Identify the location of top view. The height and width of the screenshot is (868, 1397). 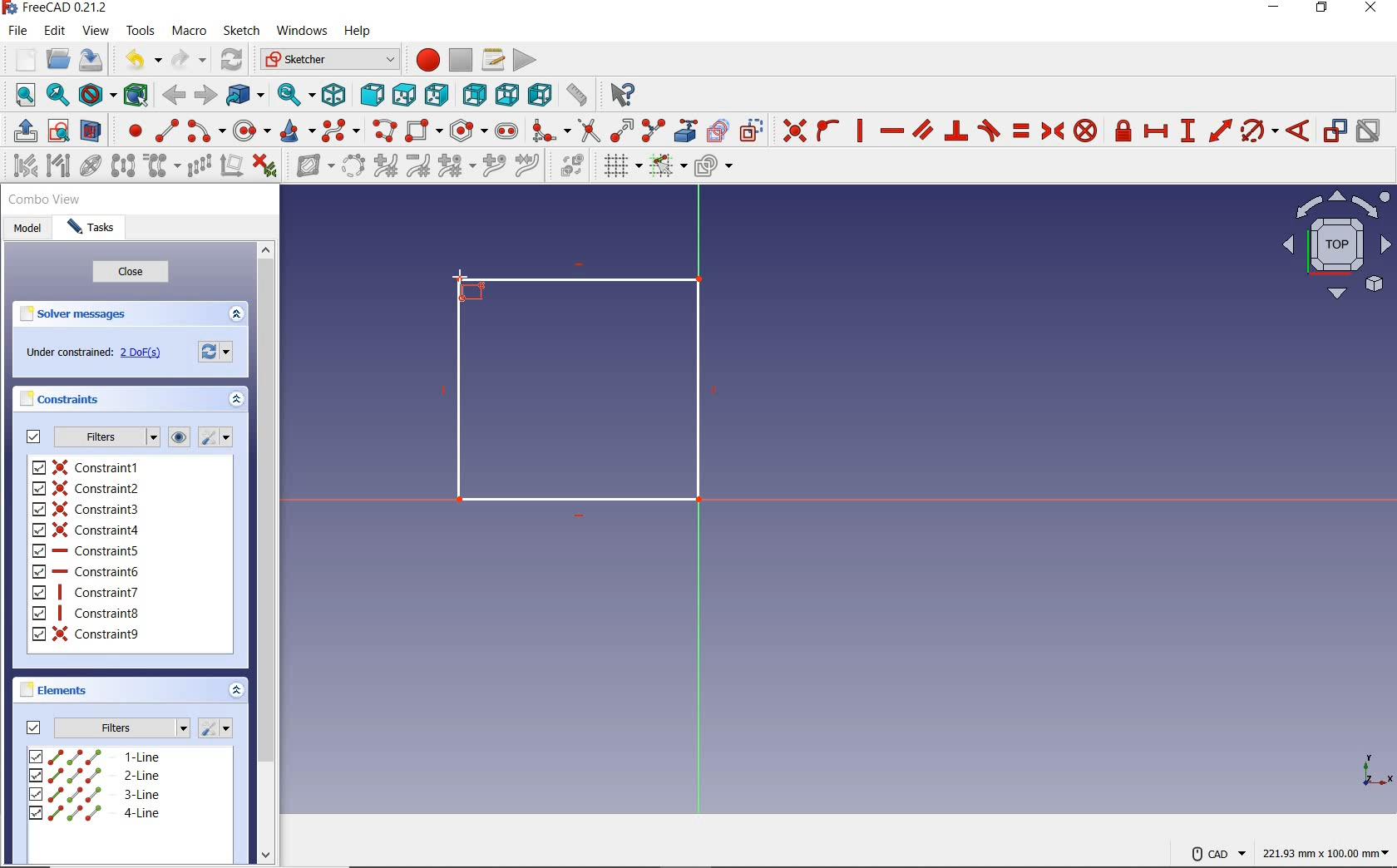
(1335, 249).